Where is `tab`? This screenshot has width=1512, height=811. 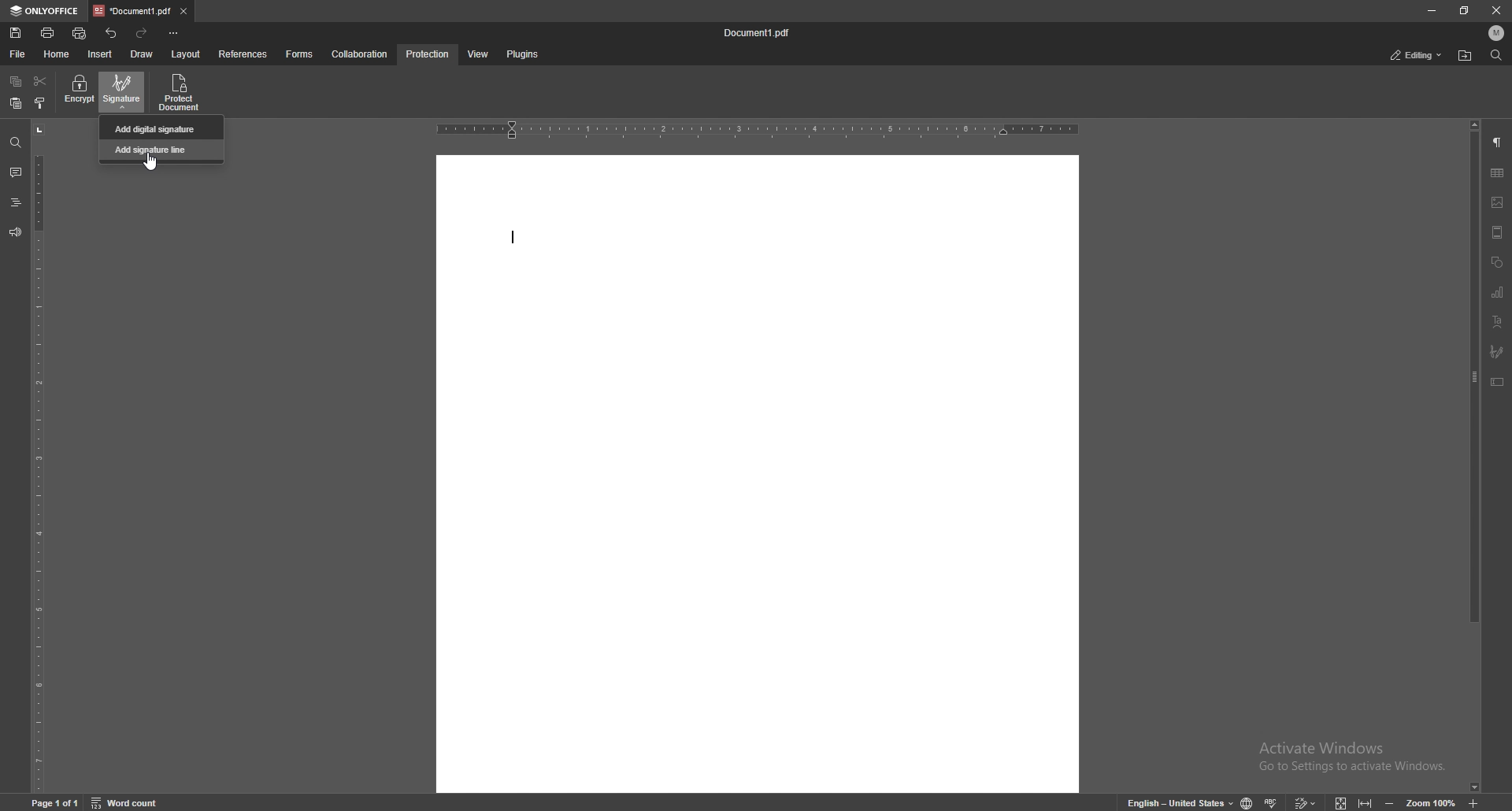 tab is located at coordinates (132, 10).